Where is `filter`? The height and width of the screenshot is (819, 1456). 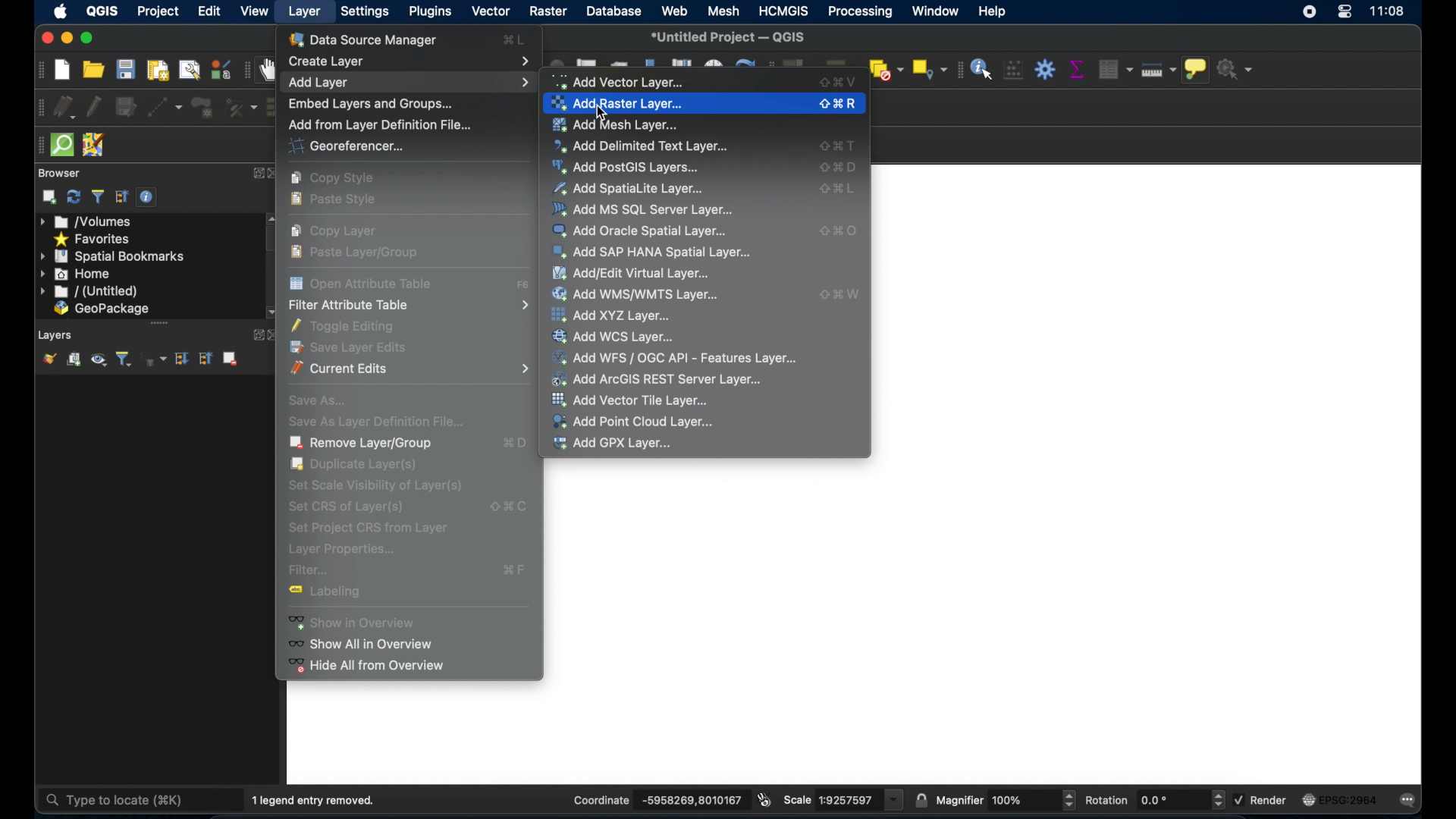 filter is located at coordinates (310, 571).